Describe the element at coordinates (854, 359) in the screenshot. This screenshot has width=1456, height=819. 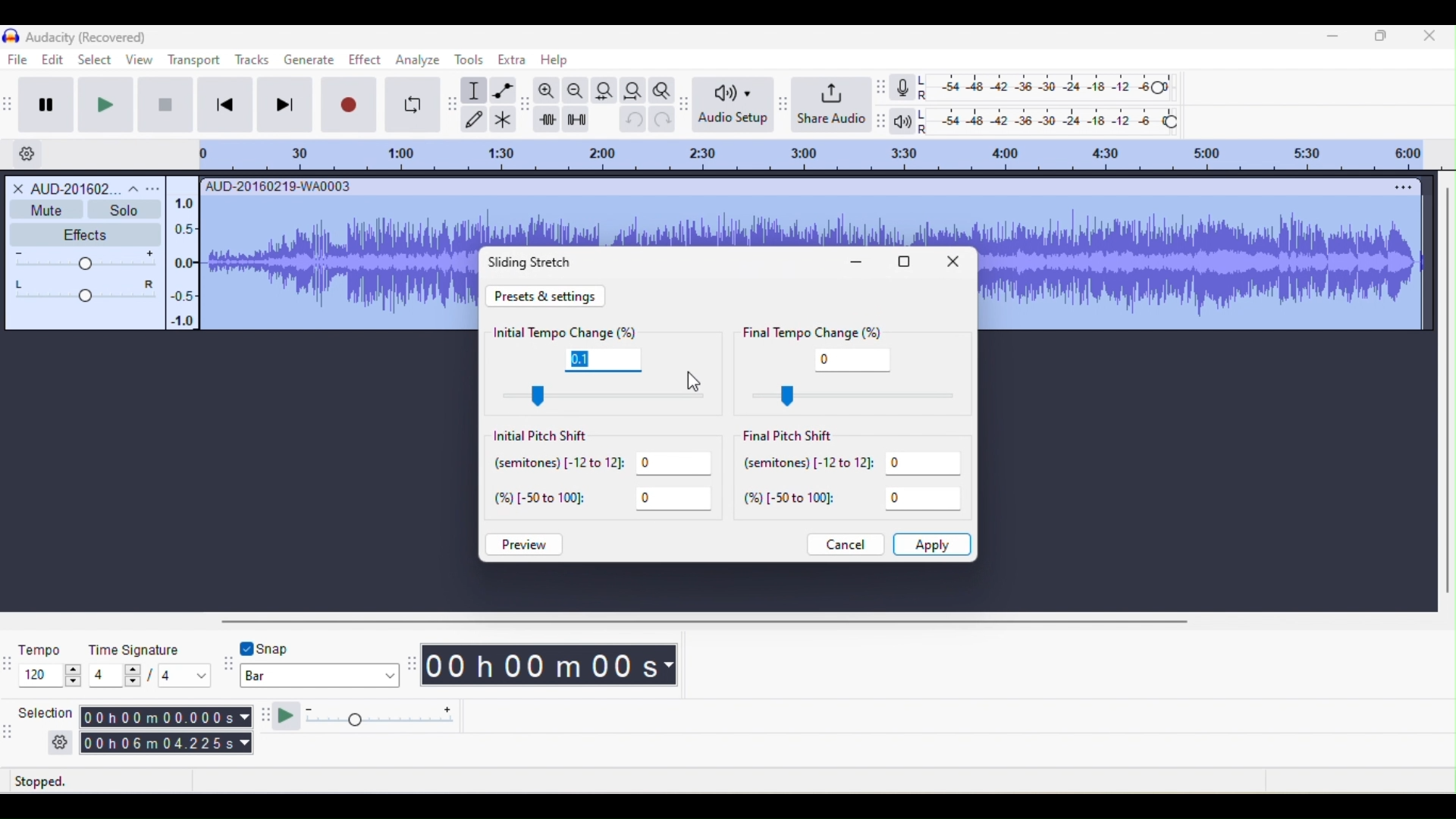
I see `0` at that location.